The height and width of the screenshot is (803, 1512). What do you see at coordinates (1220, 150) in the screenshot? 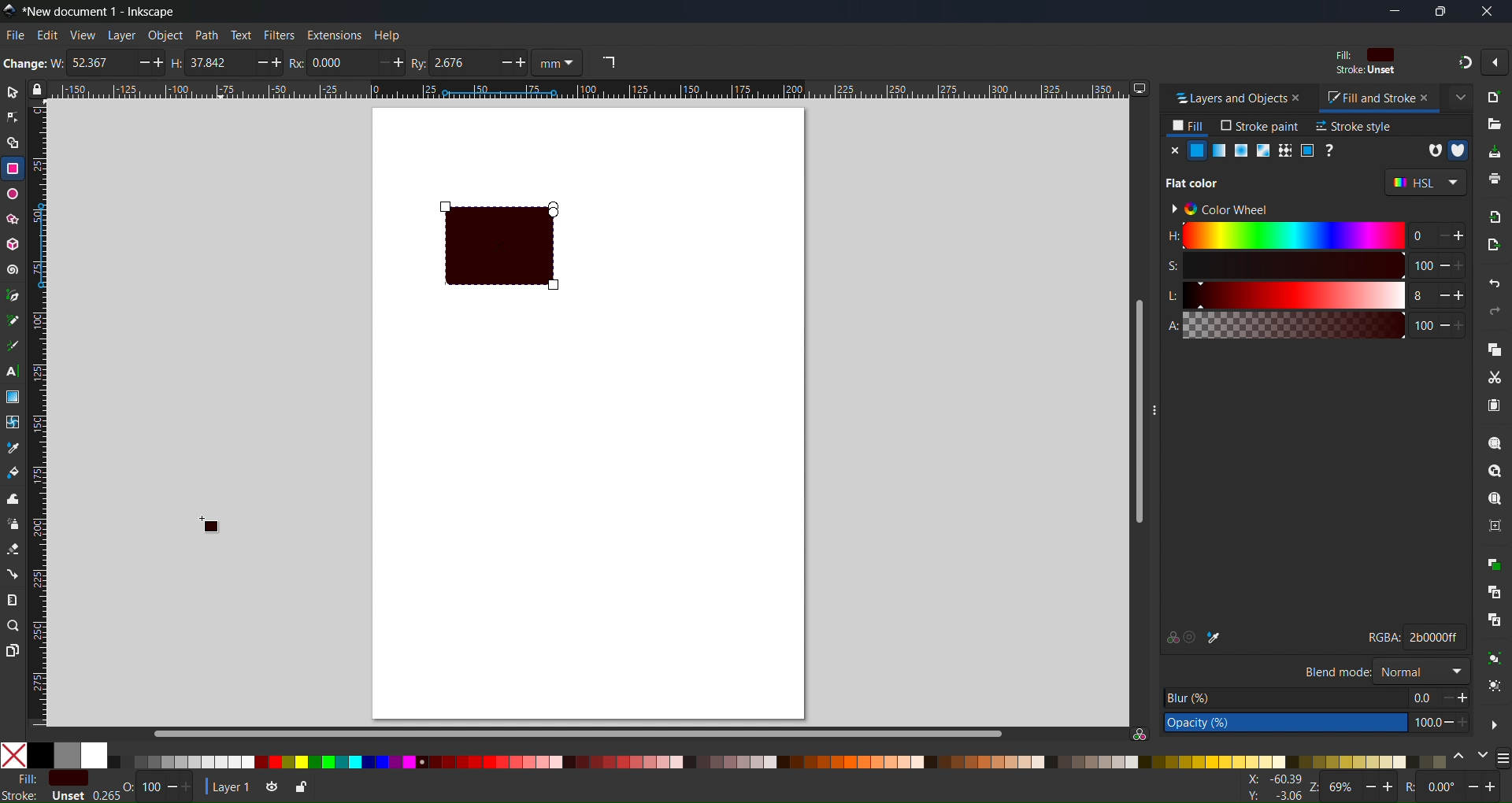
I see `Linear gradient` at bounding box center [1220, 150].